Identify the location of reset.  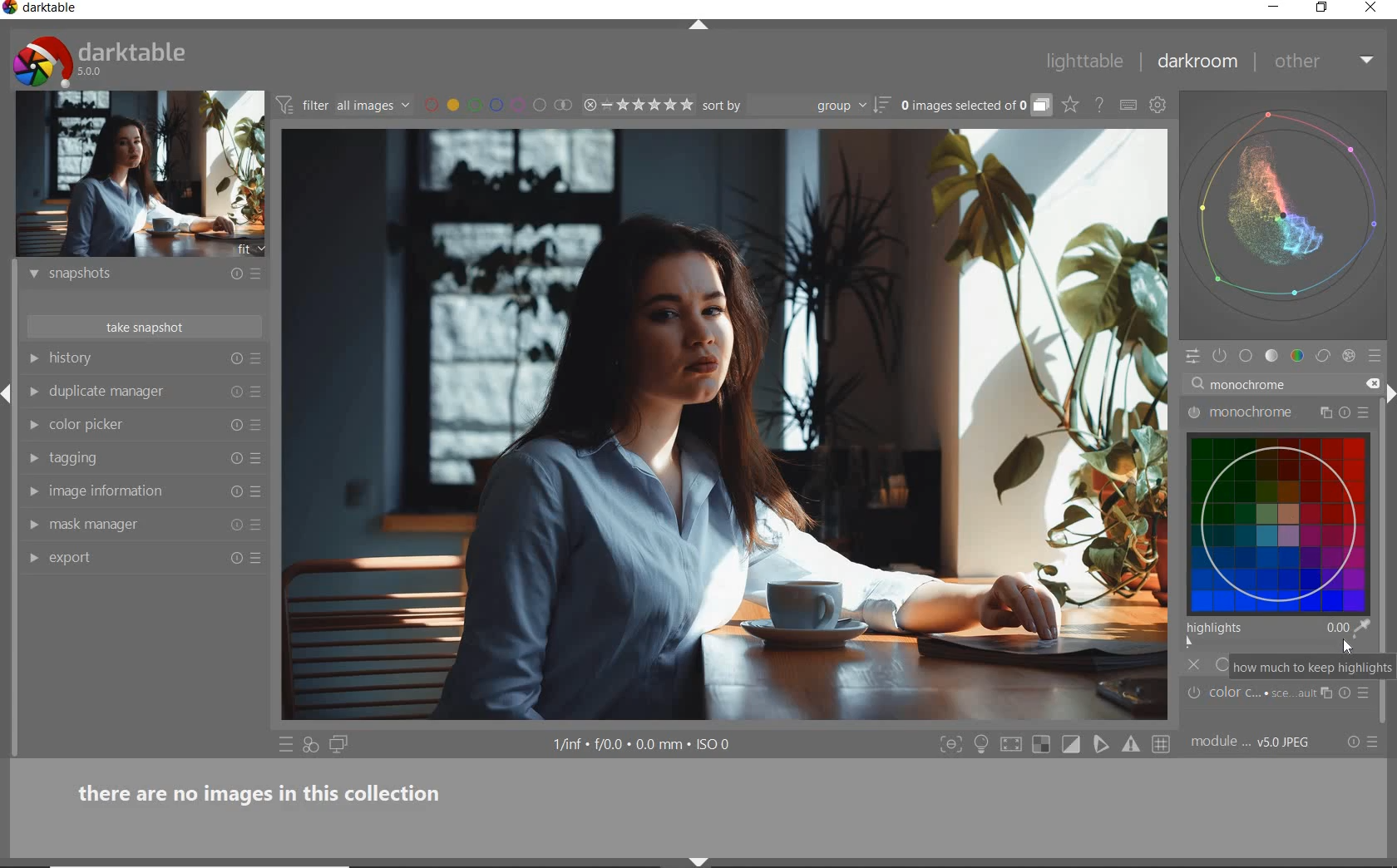
(235, 528).